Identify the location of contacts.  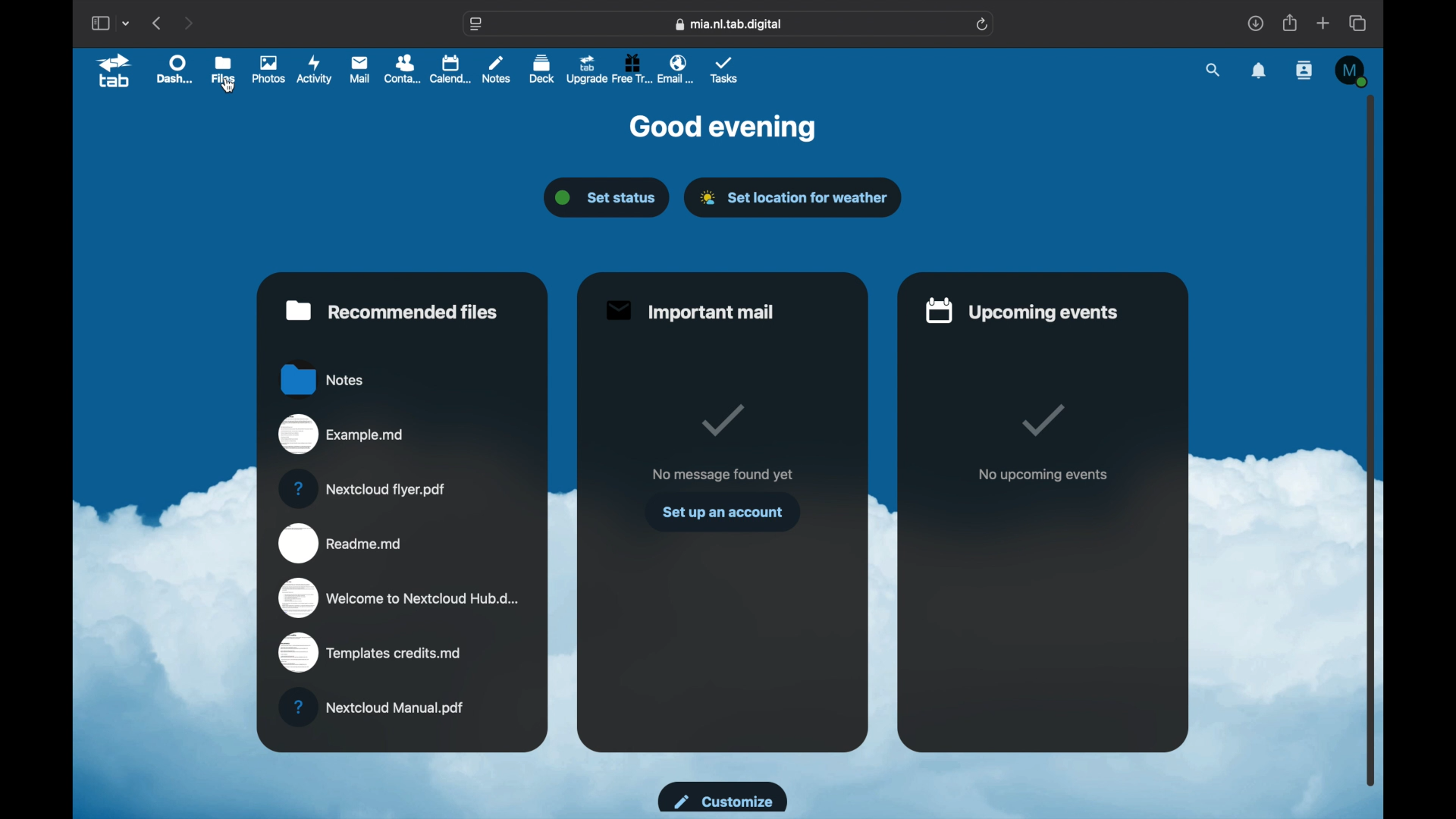
(1306, 70).